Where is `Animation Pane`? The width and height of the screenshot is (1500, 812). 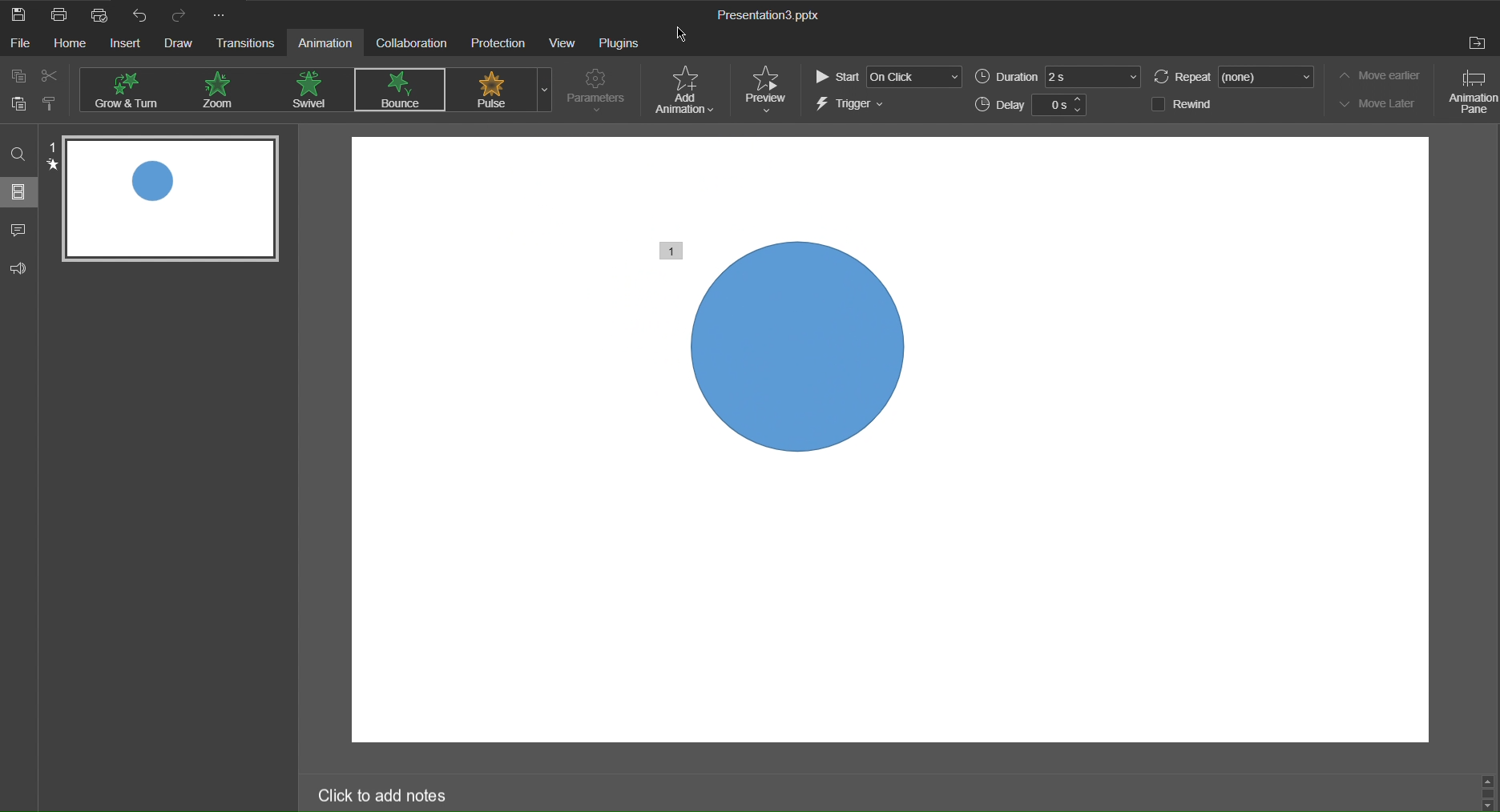 Animation Pane is located at coordinates (1470, 92).